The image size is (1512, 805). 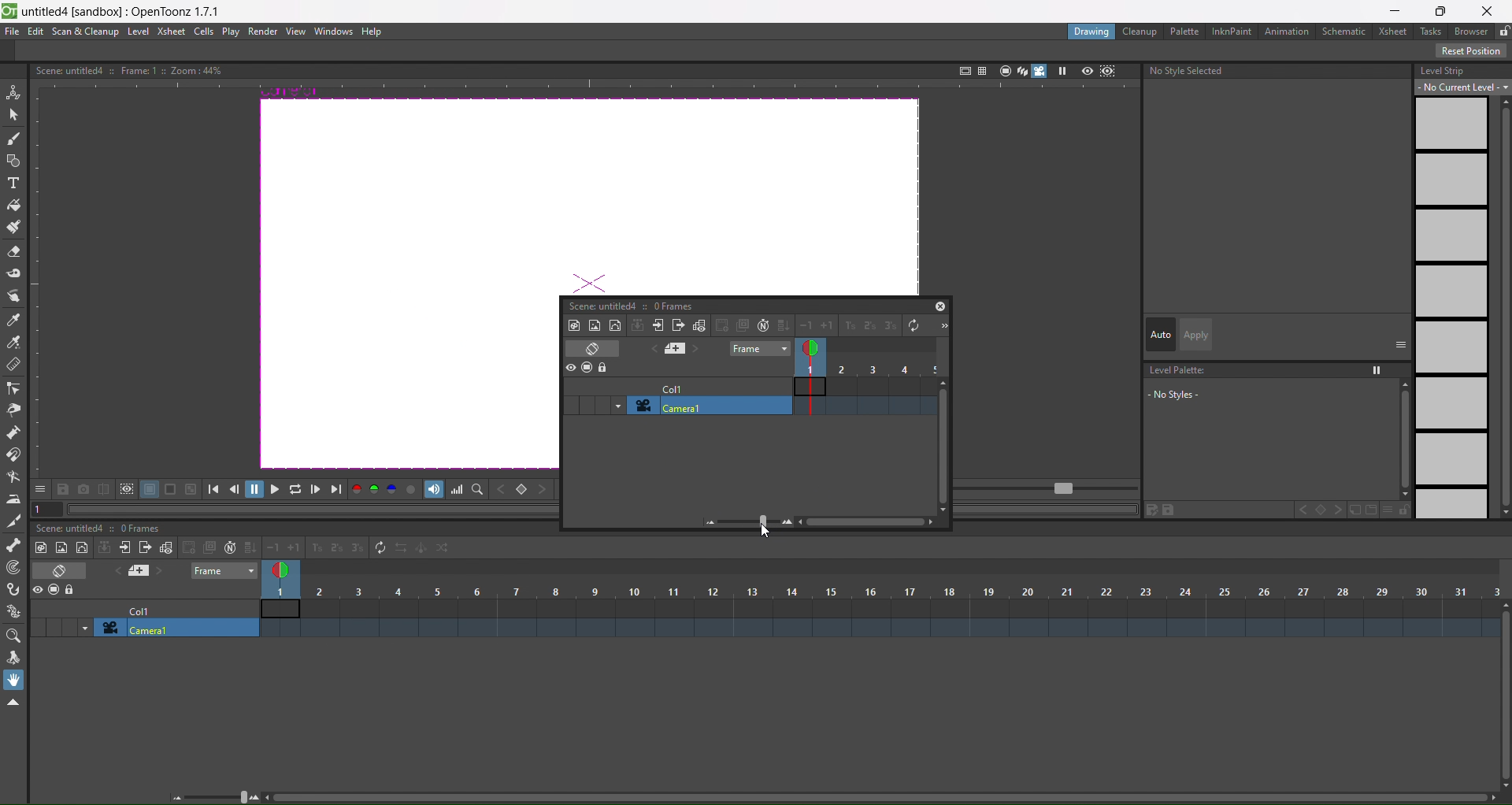 What do you see at coordinates (124, 11) in the screenshot?
I see `untitledd [sandbox] :OpenToonz 1.7.1` at bounding box center [124, 11].